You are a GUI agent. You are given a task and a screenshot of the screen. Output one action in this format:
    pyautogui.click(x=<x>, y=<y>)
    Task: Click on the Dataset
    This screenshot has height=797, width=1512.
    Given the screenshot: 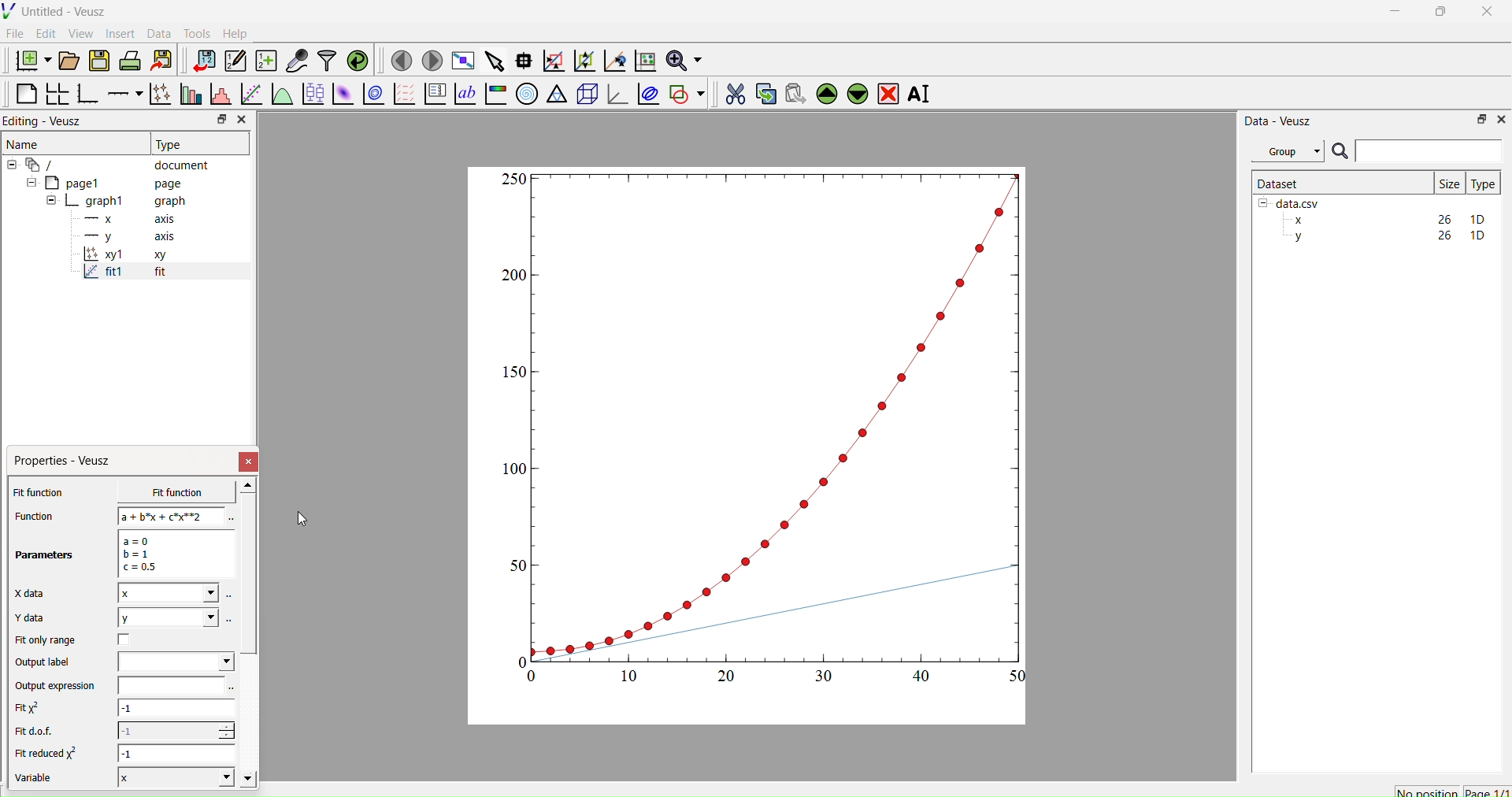 What is the action you would take?
    pyautogui.click(x=1279, y=183)
    